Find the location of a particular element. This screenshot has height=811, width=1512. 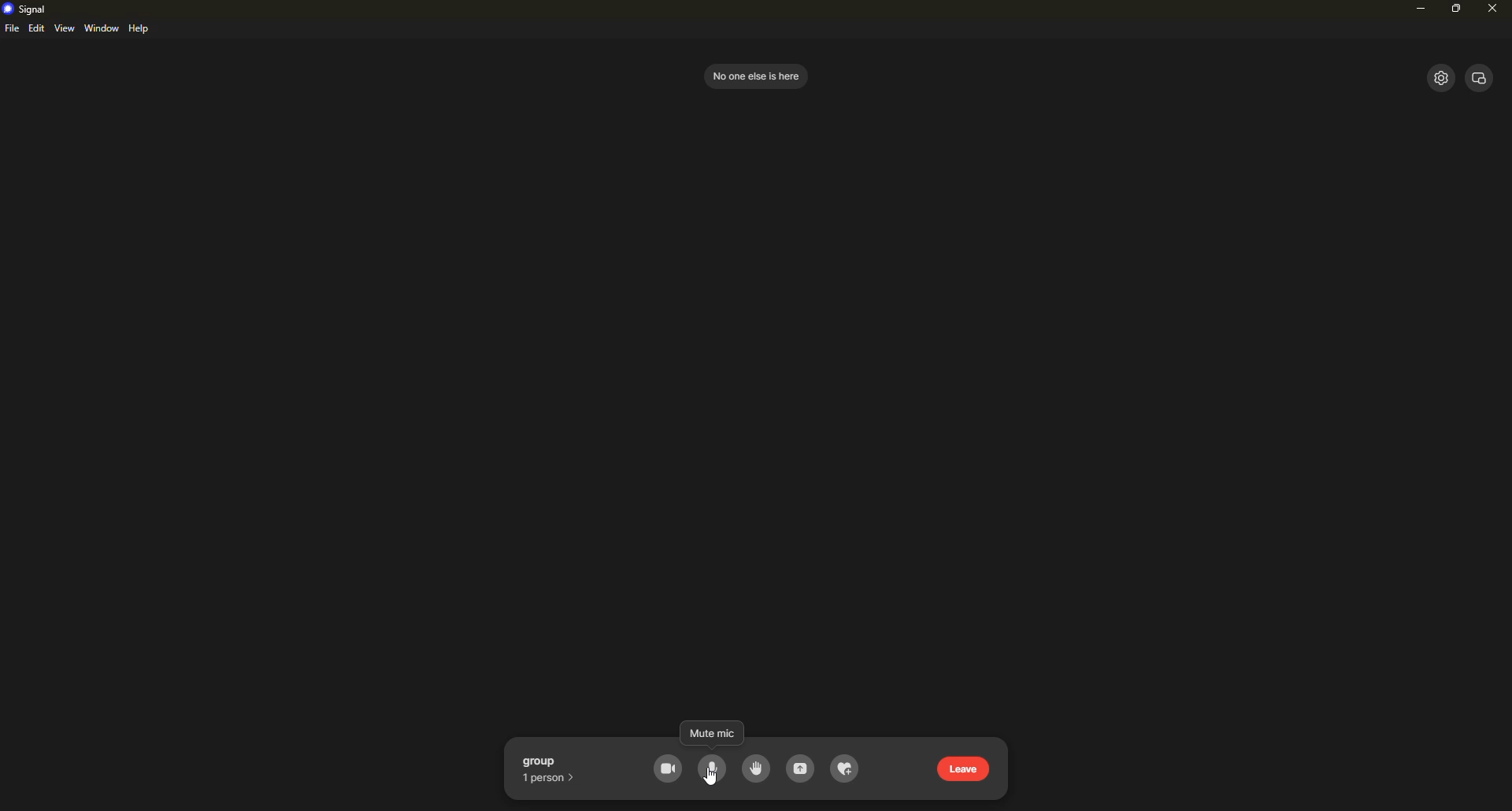

view is located at coordinates (1480, 76).